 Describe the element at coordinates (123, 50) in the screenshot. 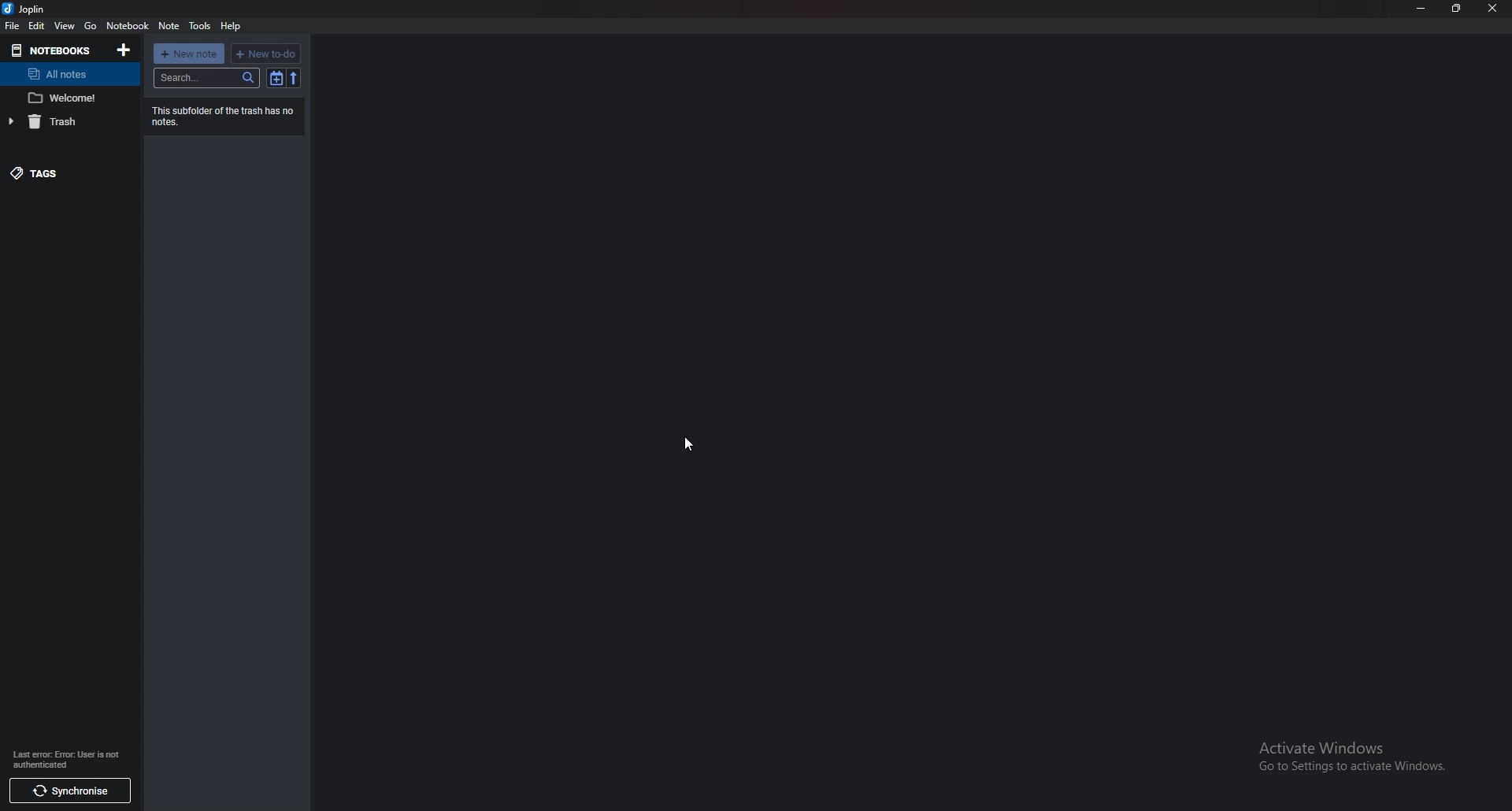

I see `Add notebooks` at that location.